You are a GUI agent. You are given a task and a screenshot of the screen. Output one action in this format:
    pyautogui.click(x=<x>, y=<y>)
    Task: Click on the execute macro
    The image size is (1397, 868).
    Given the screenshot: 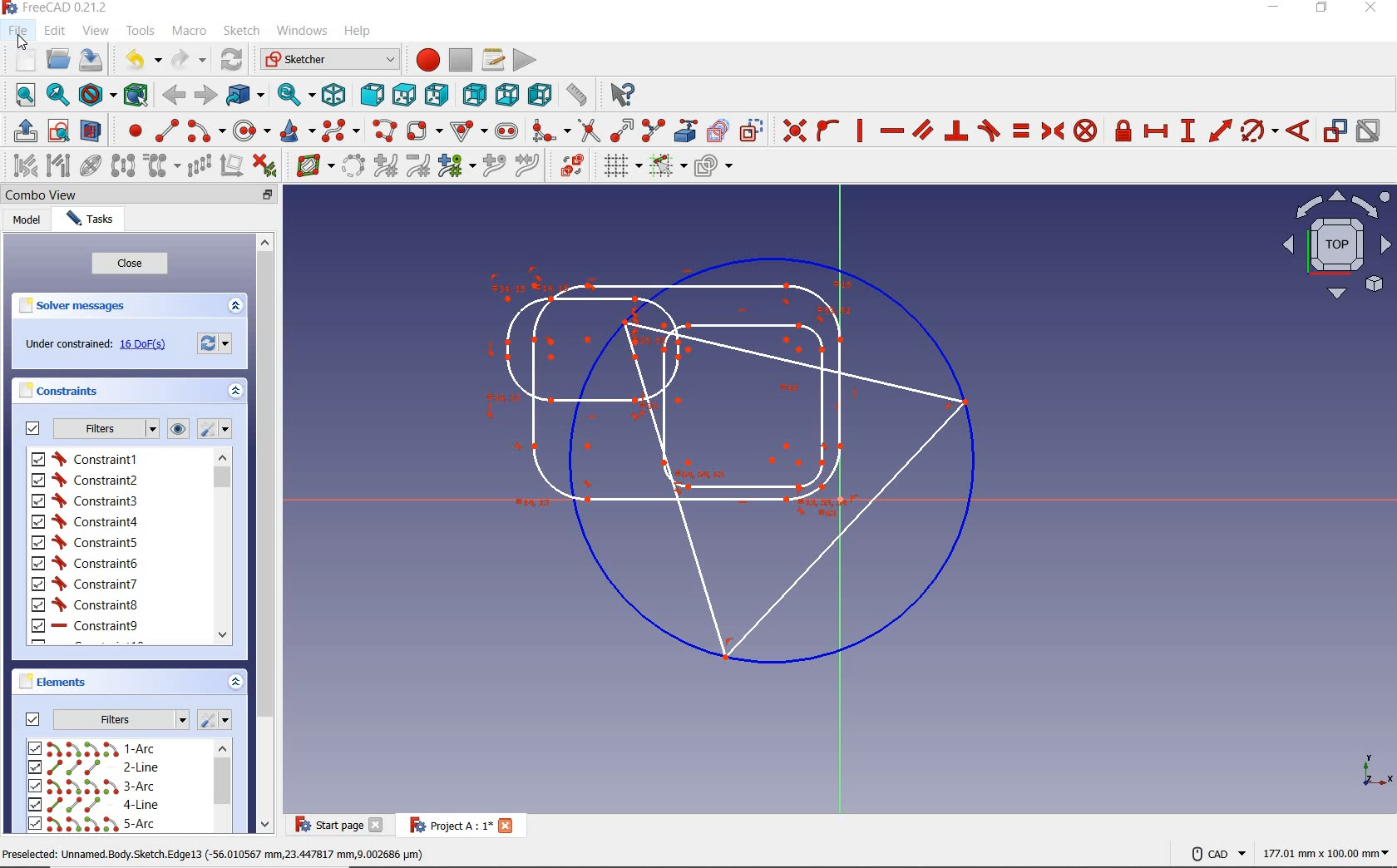 What is the action you would take?
    pyautogui.click(x=522, y=62)
    